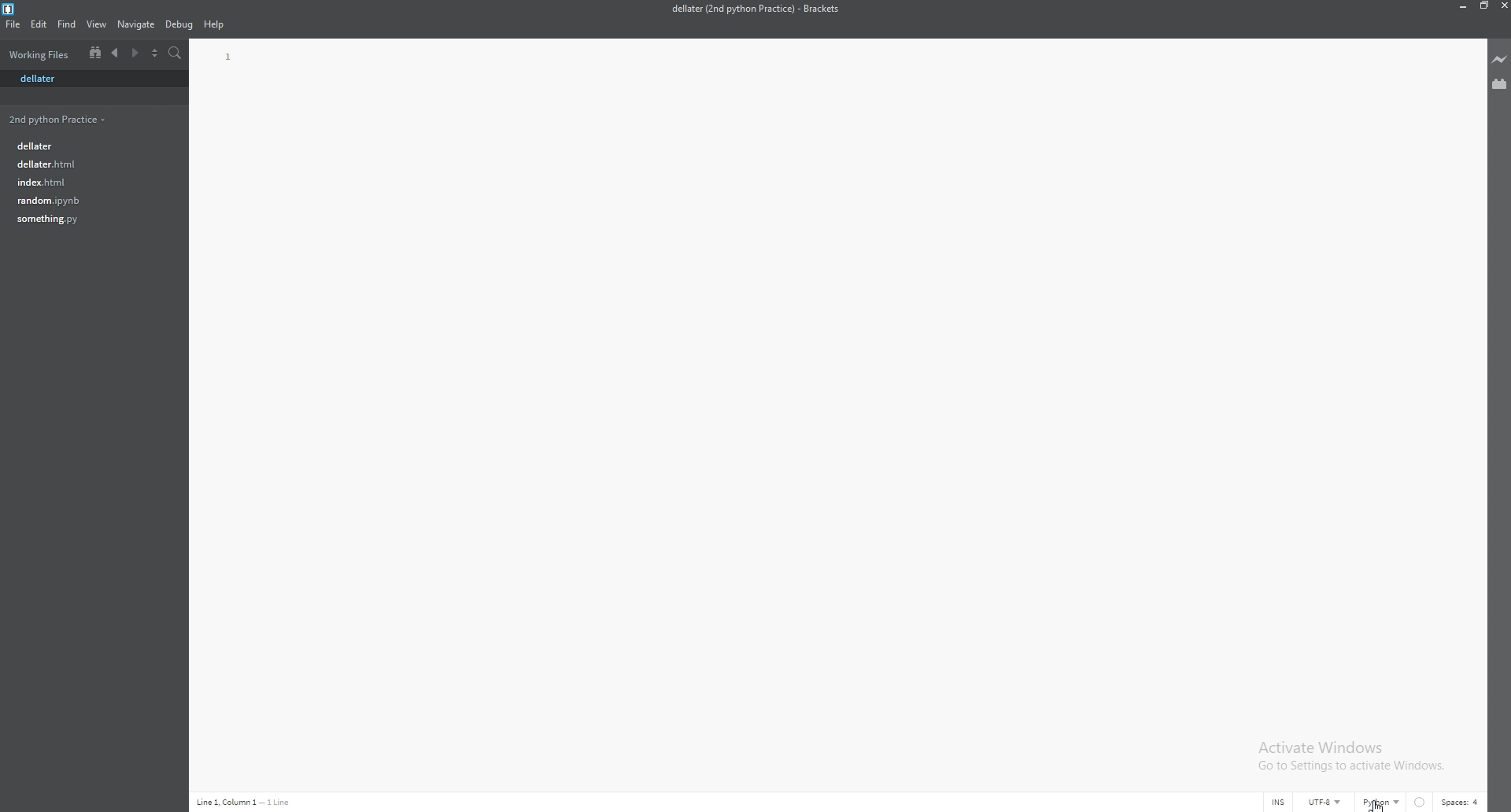  What do you see at coordinates (179, 25) in the screenshot?
I see `debug` at bounding box center [179, 25].